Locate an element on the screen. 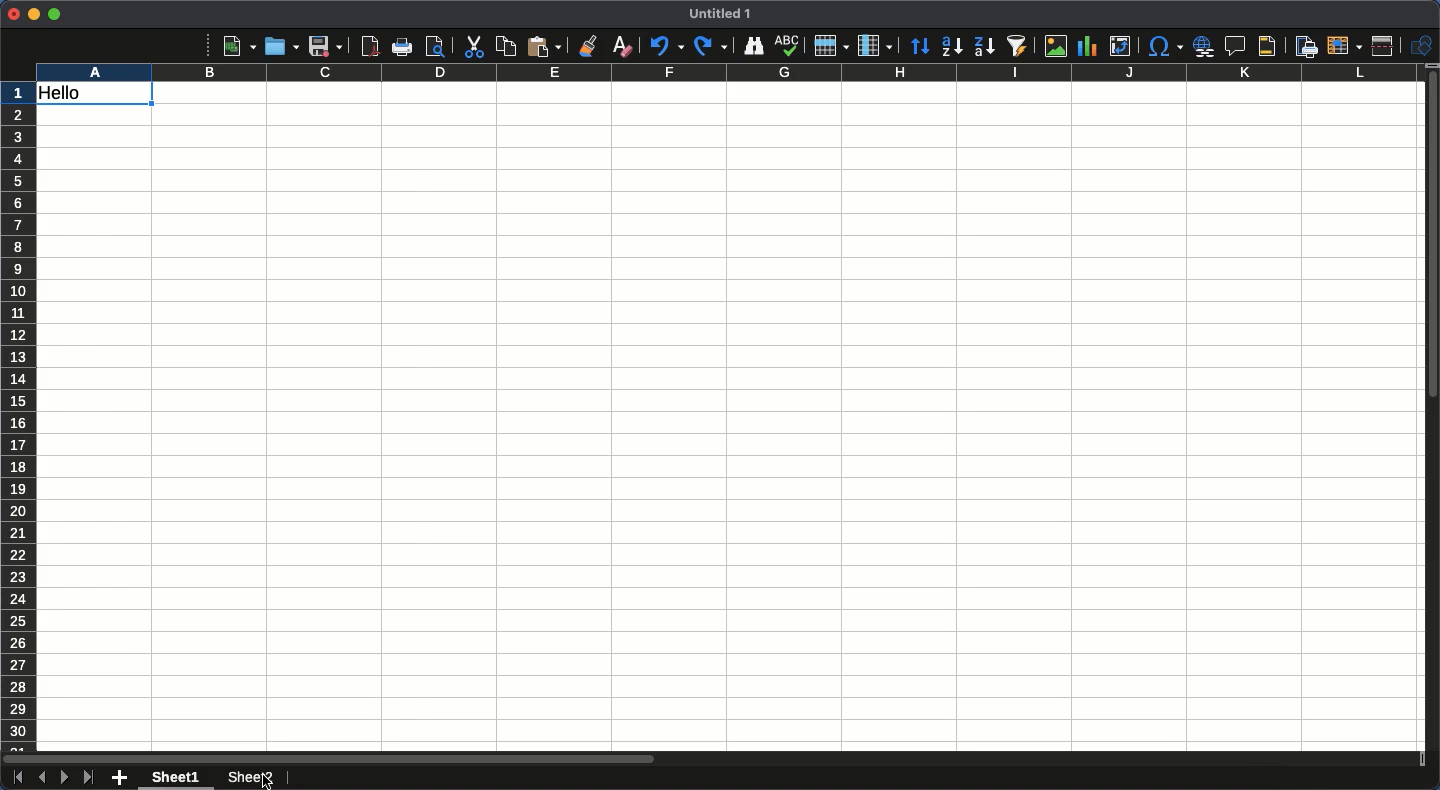  Sheet 2 is located at coordinates (248, 779).